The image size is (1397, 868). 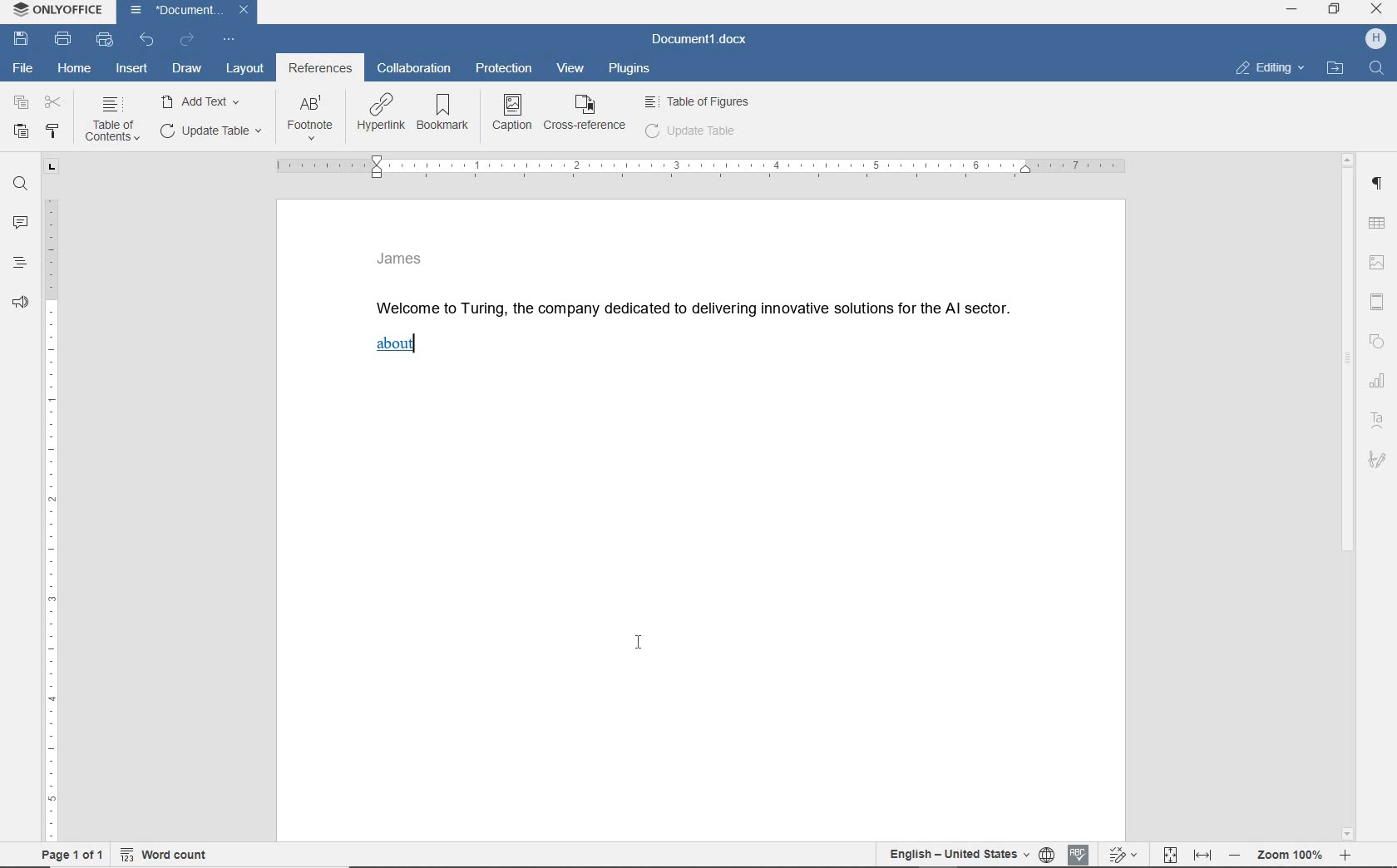 I want to click on fit topage, so click(x=1169, y=855).